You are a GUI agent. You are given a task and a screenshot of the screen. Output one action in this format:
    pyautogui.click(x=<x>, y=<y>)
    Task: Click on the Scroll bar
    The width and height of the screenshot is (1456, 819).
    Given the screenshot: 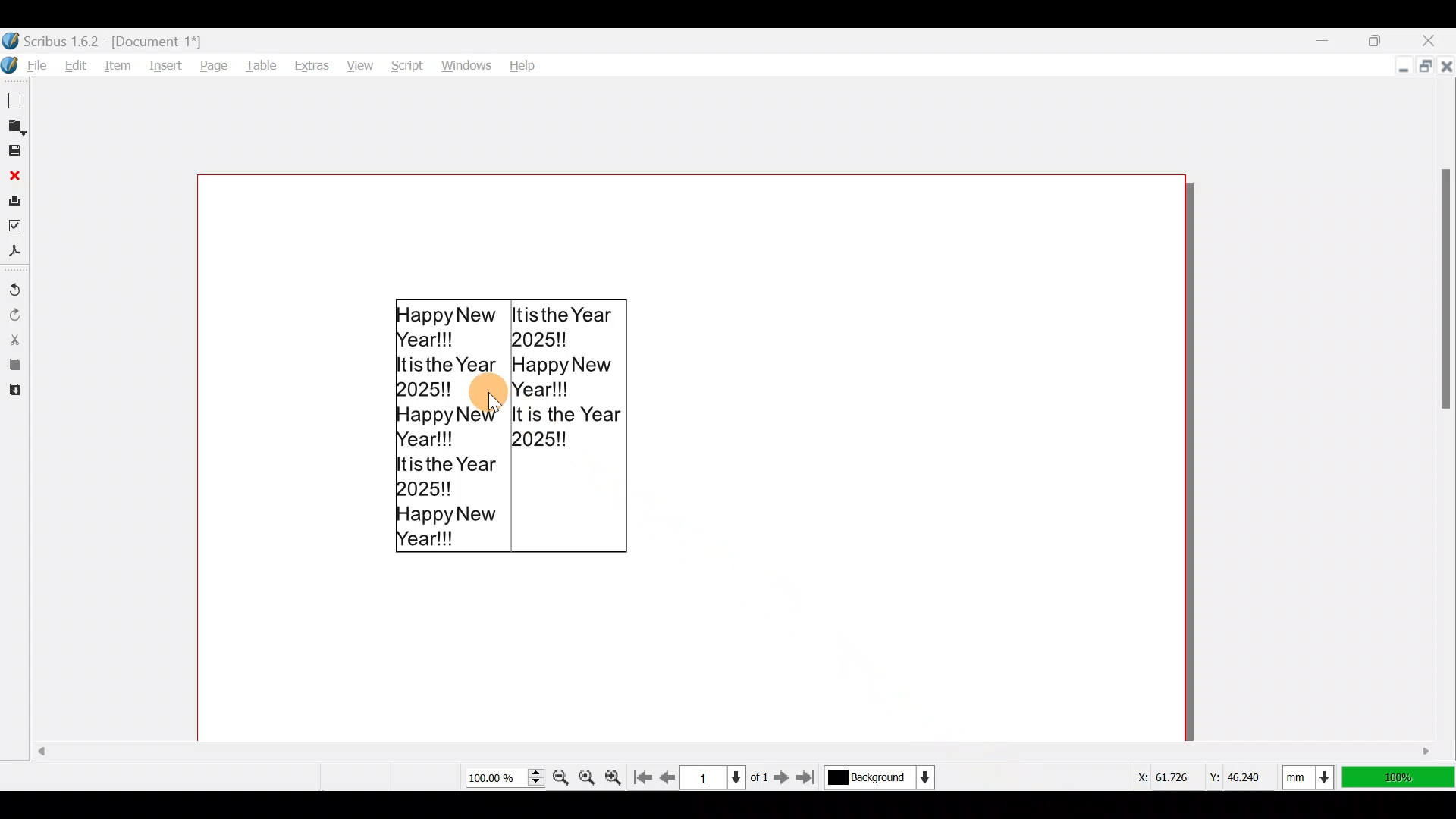 What is the action you would take?
    pyautogui.click(x=1447, y=419)
    